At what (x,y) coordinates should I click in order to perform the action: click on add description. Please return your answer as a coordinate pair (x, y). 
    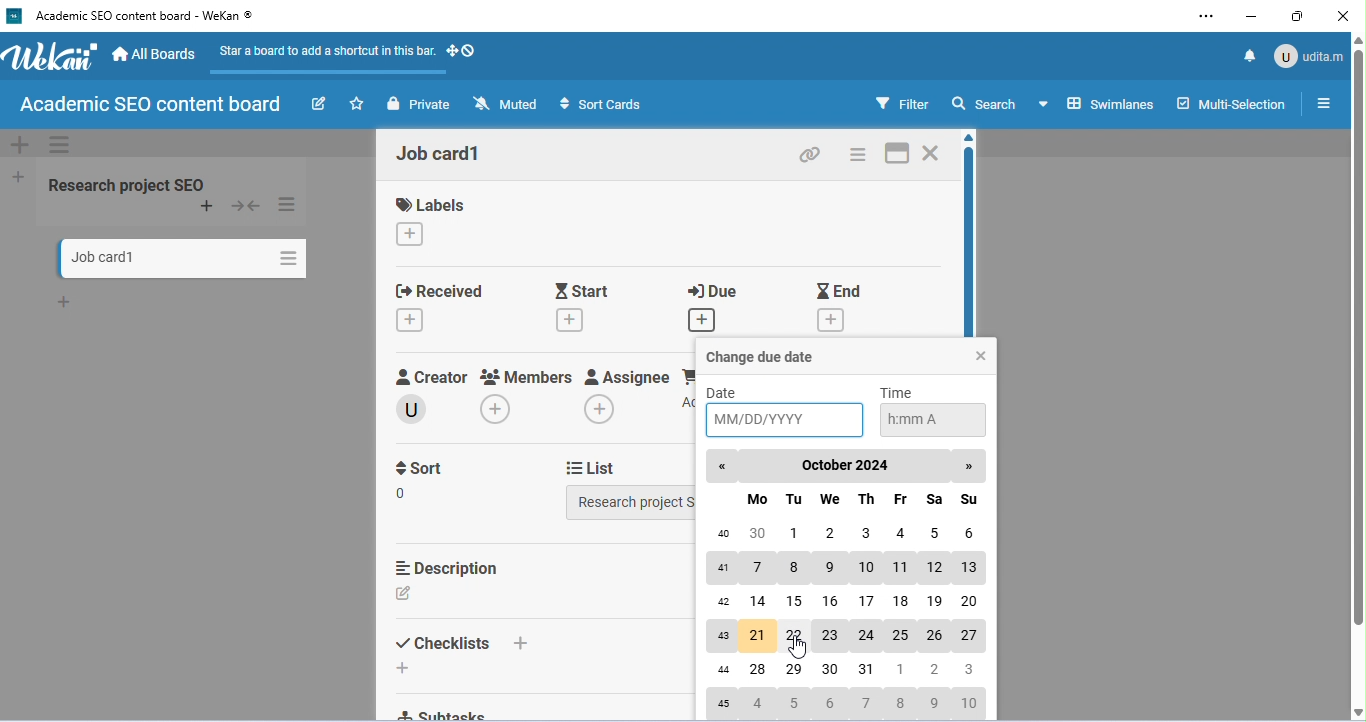
    Looking at the image, I should click on (405, 595).